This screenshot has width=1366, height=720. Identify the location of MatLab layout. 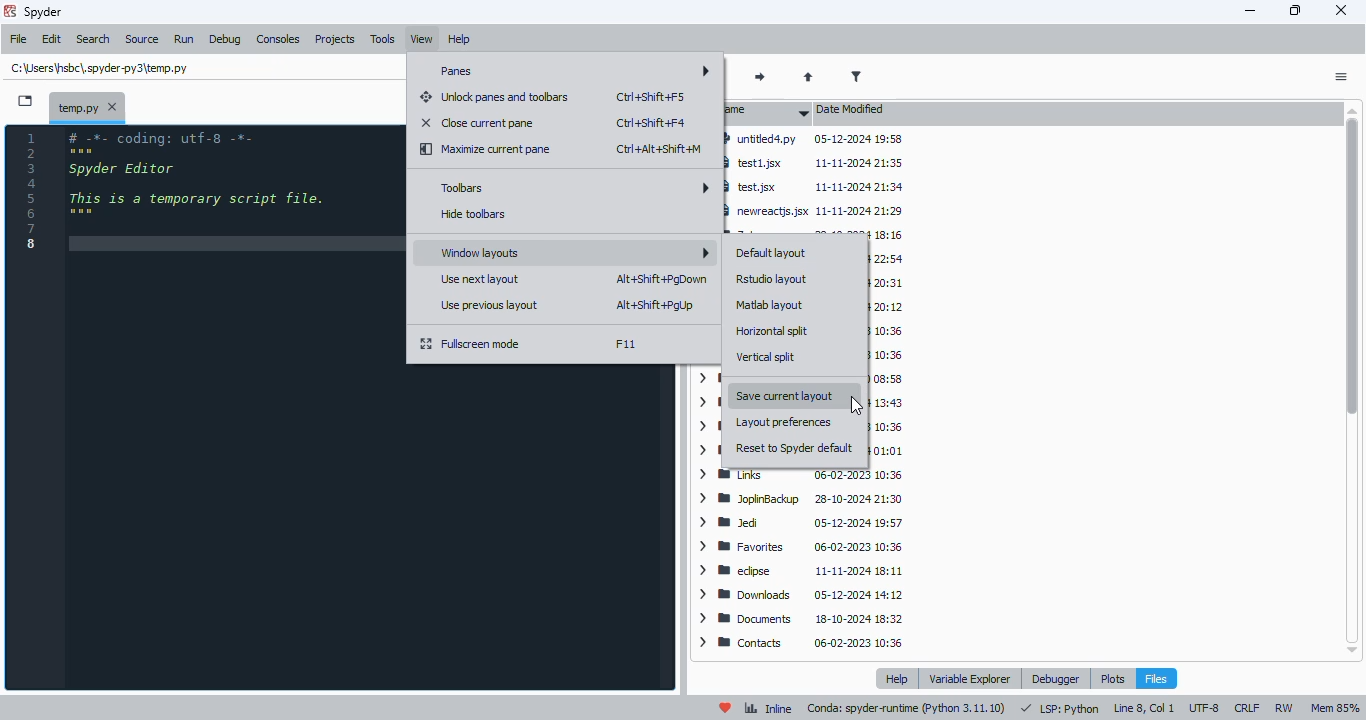
(770, 305).